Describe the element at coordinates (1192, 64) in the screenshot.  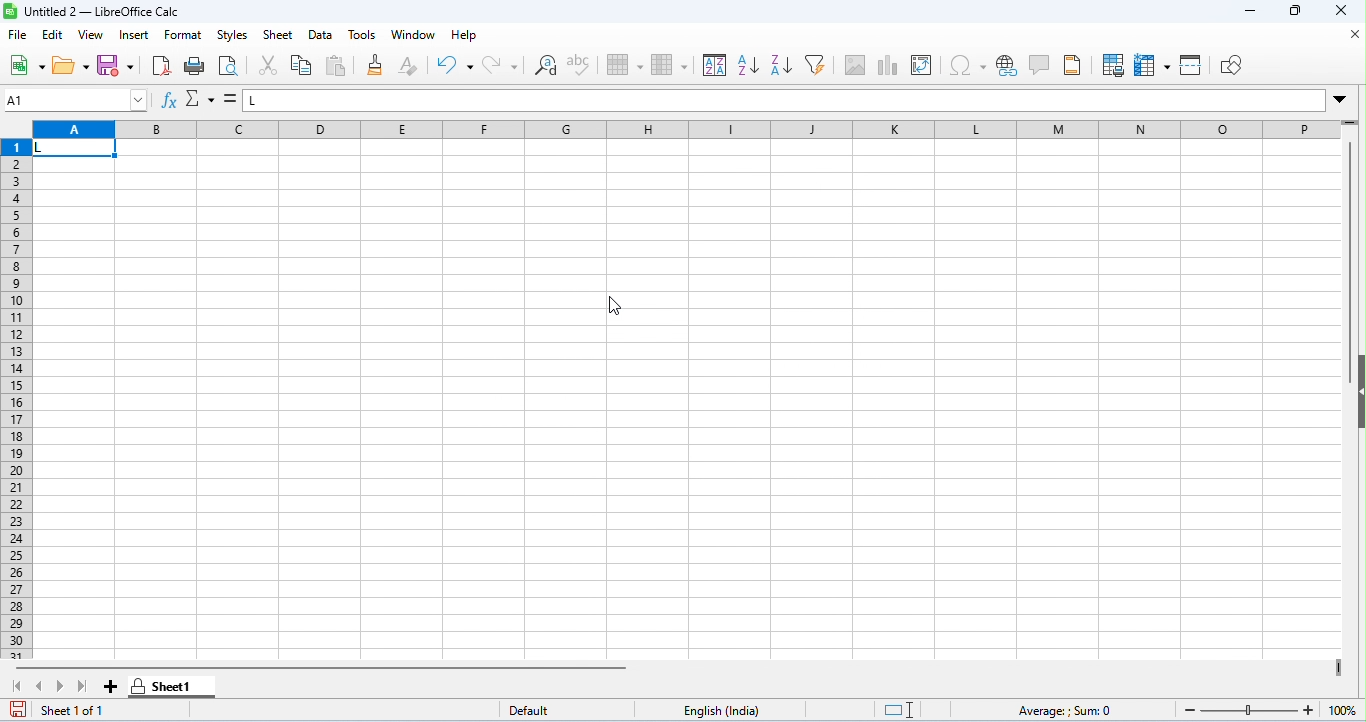
I see `split window` at that location.